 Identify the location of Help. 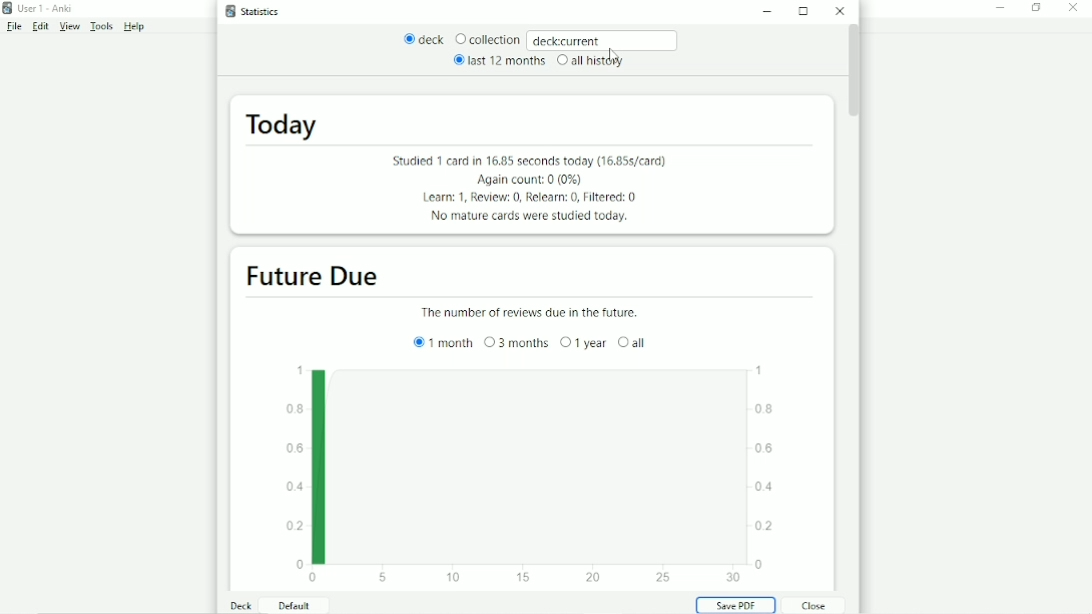
(131, 27).